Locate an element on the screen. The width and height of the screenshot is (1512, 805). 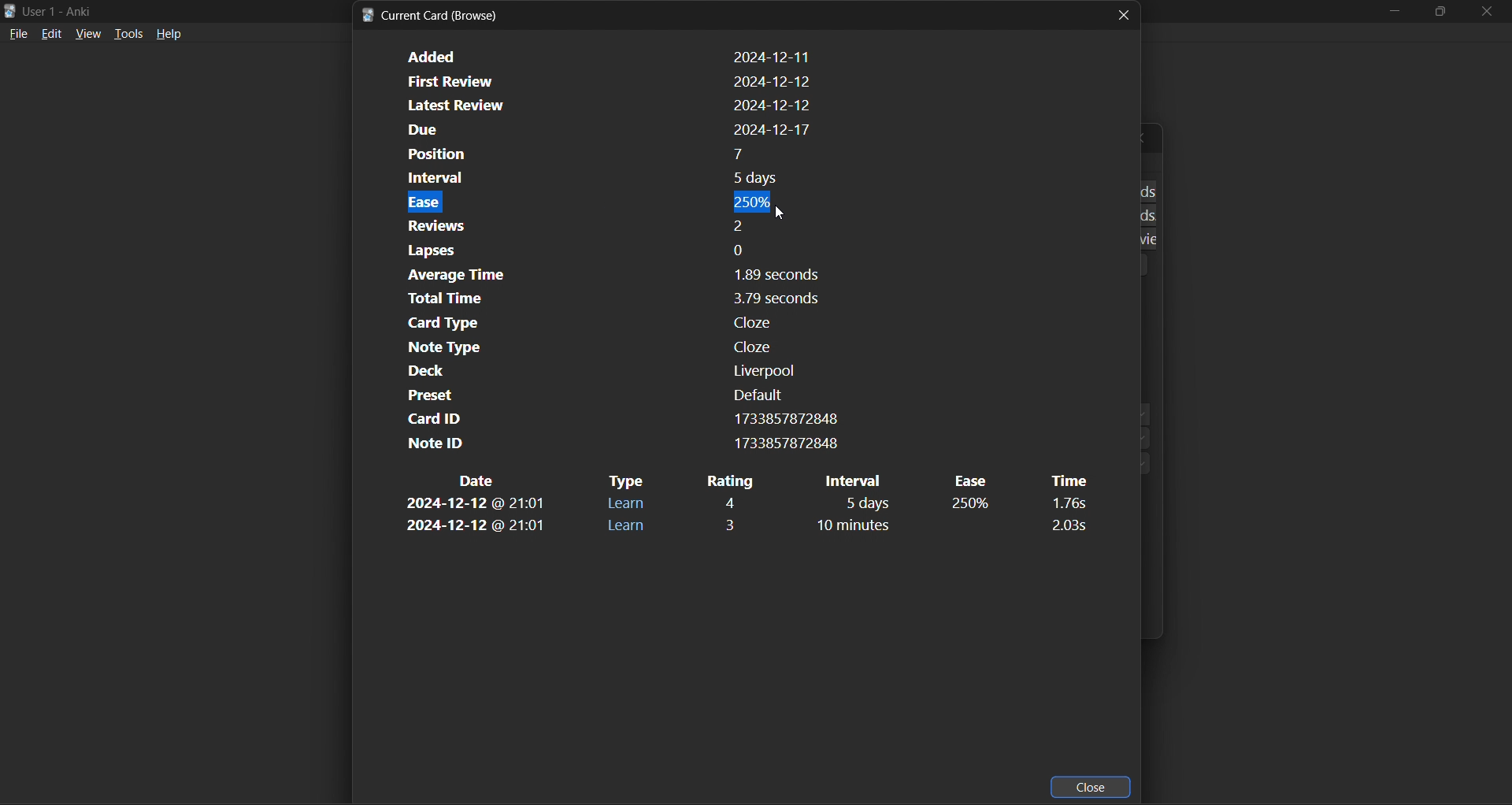
interval is located at coordinates (867, 527).